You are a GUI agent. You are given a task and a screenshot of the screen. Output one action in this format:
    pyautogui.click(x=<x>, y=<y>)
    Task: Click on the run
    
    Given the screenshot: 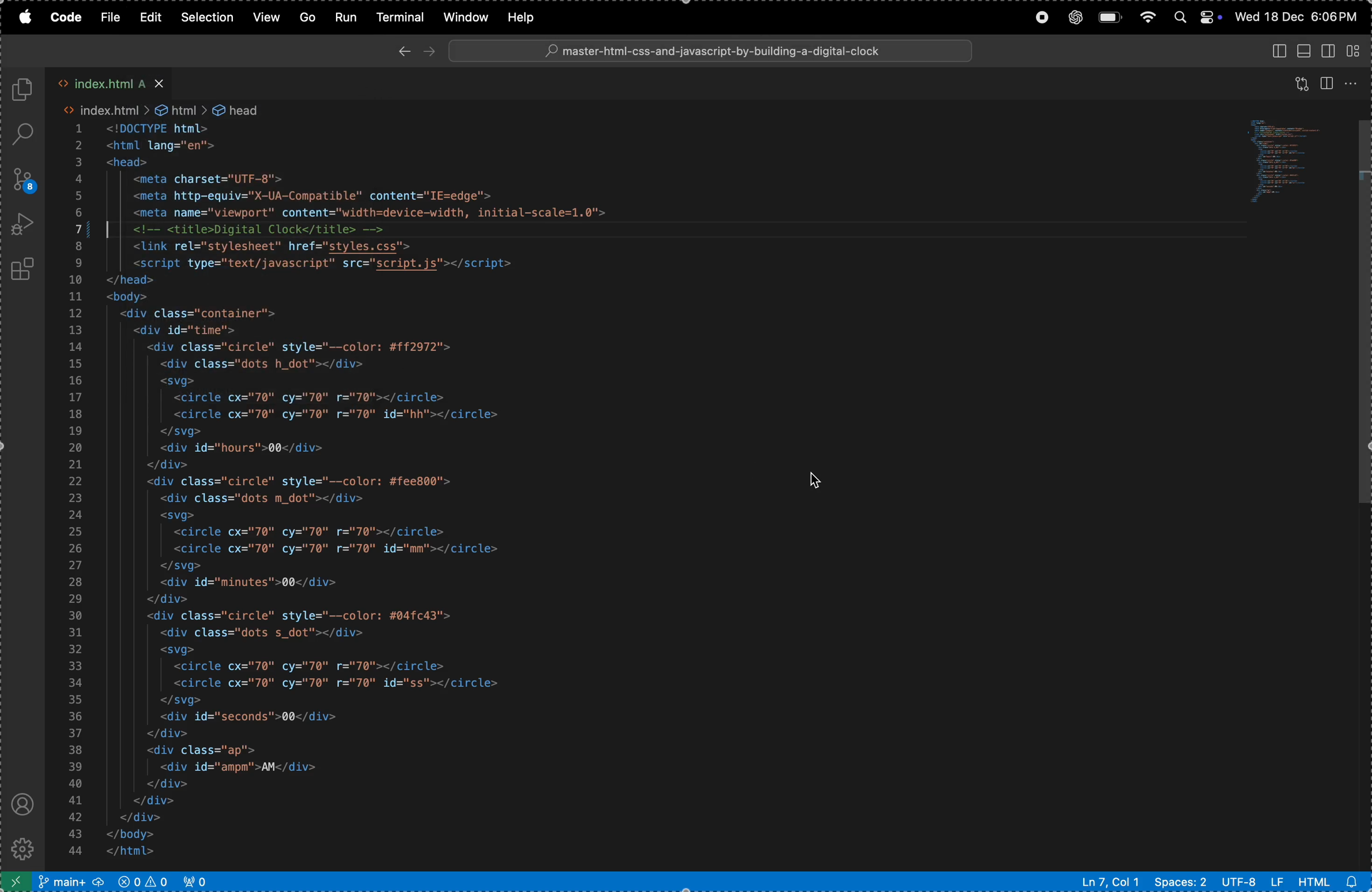 What is the action you would take?
    pyautogui.click(x=346, y=17)
    